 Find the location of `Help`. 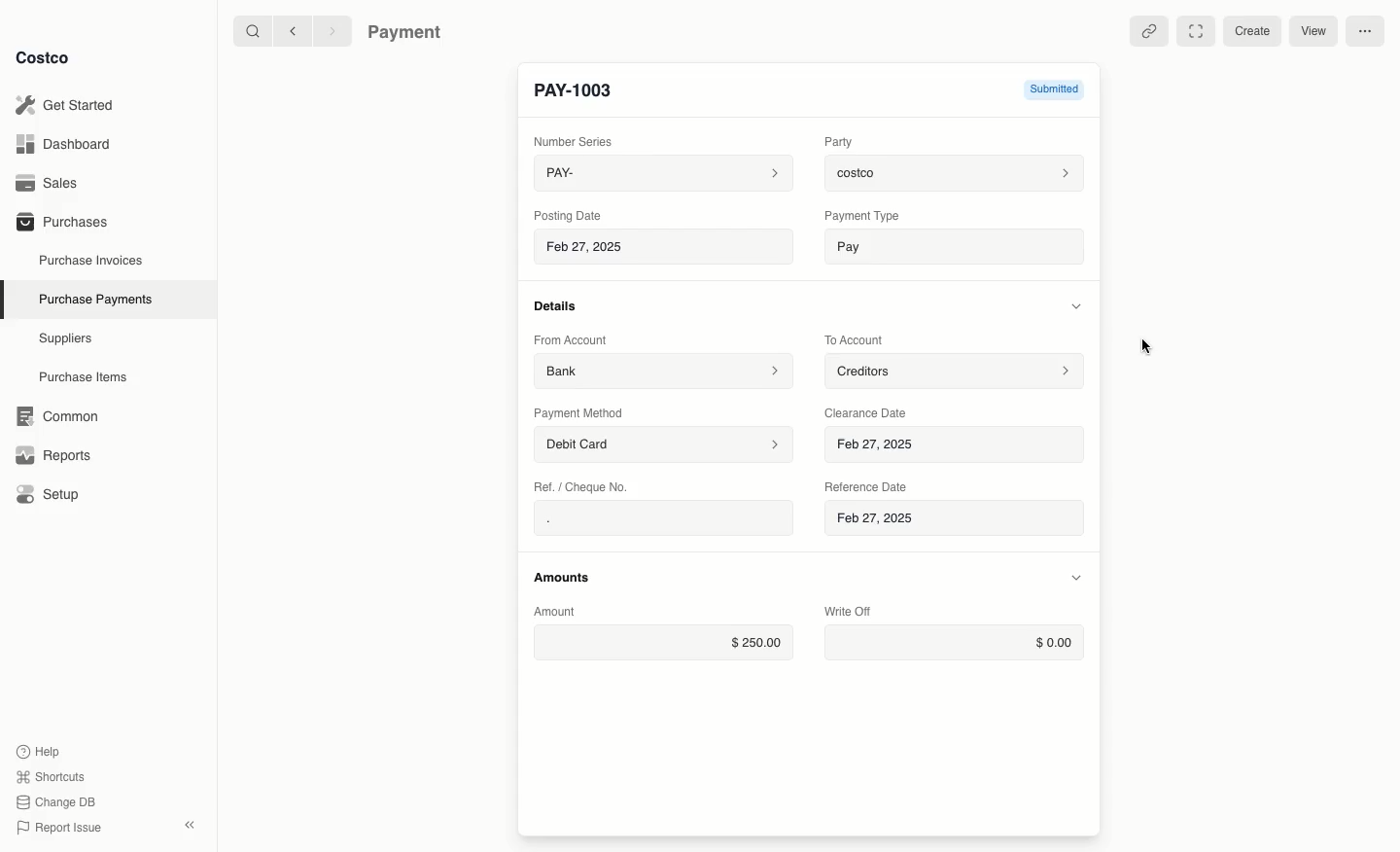

Help is located at coordinates (38, 750).